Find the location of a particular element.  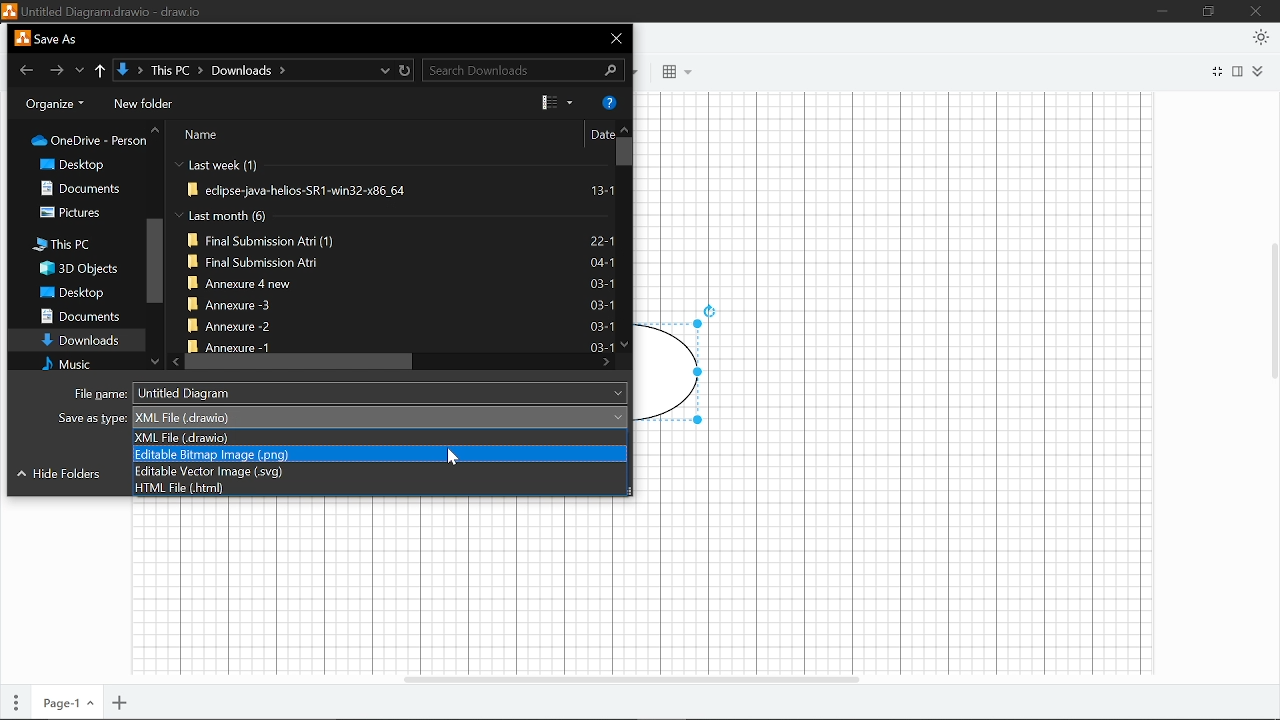

Current folder is located at coordinates (124, 70).